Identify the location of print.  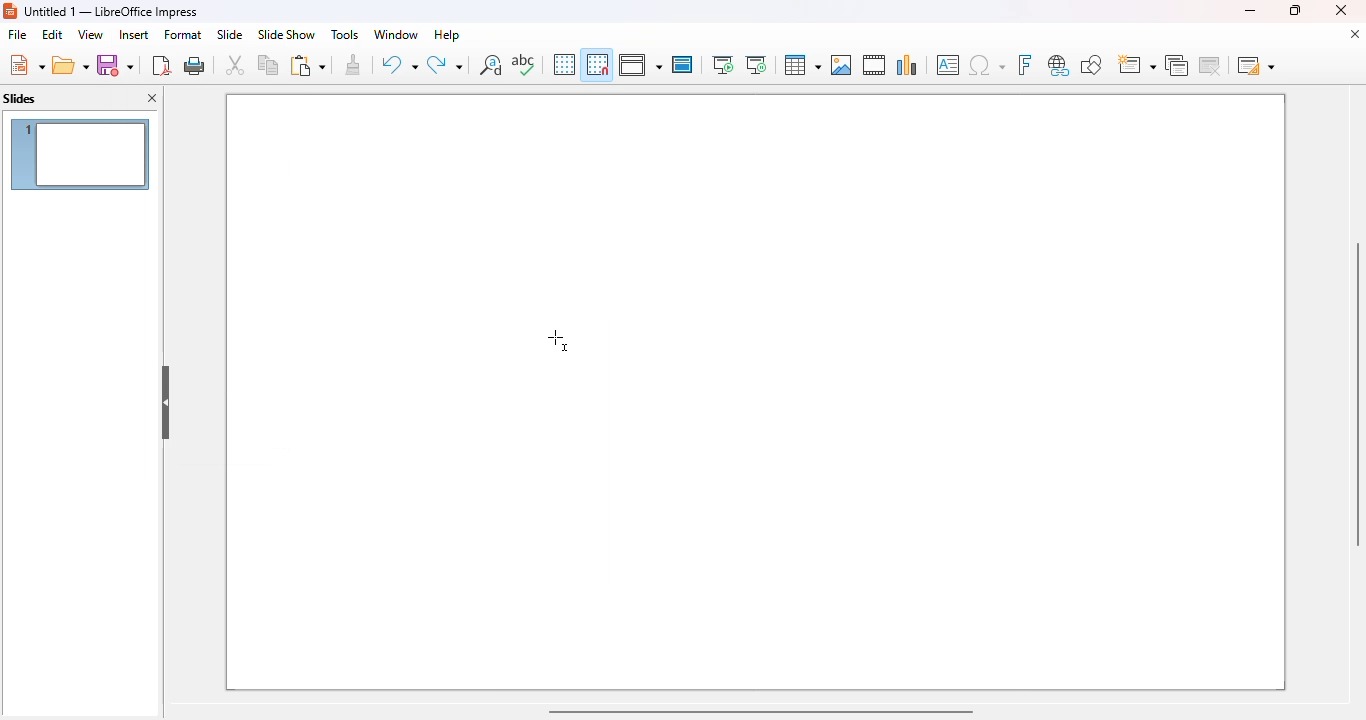
(196, 65).